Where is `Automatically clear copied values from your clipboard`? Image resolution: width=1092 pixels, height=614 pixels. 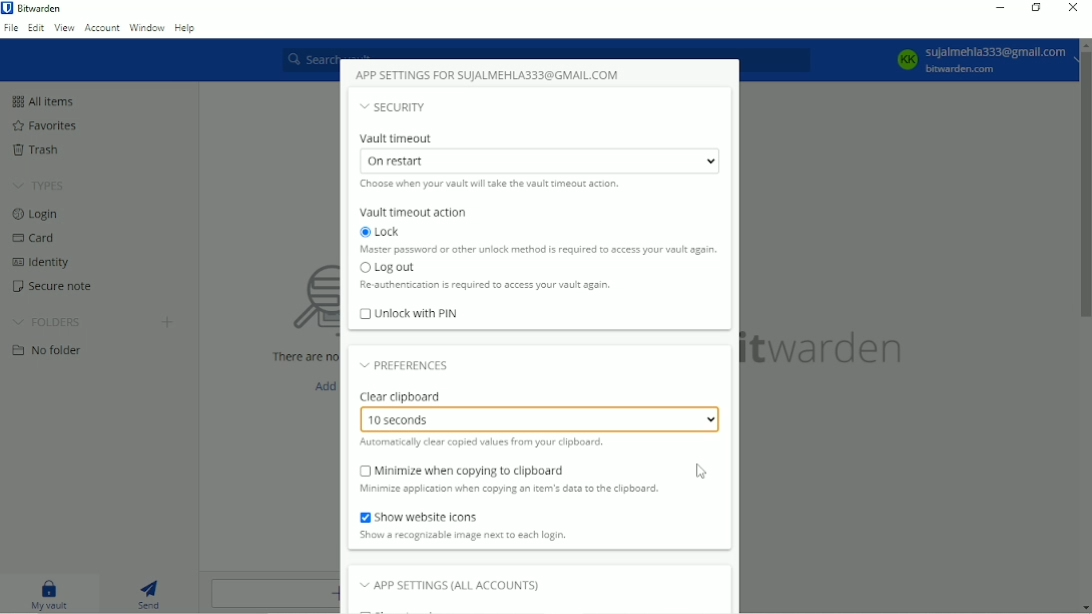 Automatically clear copied values from your clipboard is located at coordinates (485, 443).